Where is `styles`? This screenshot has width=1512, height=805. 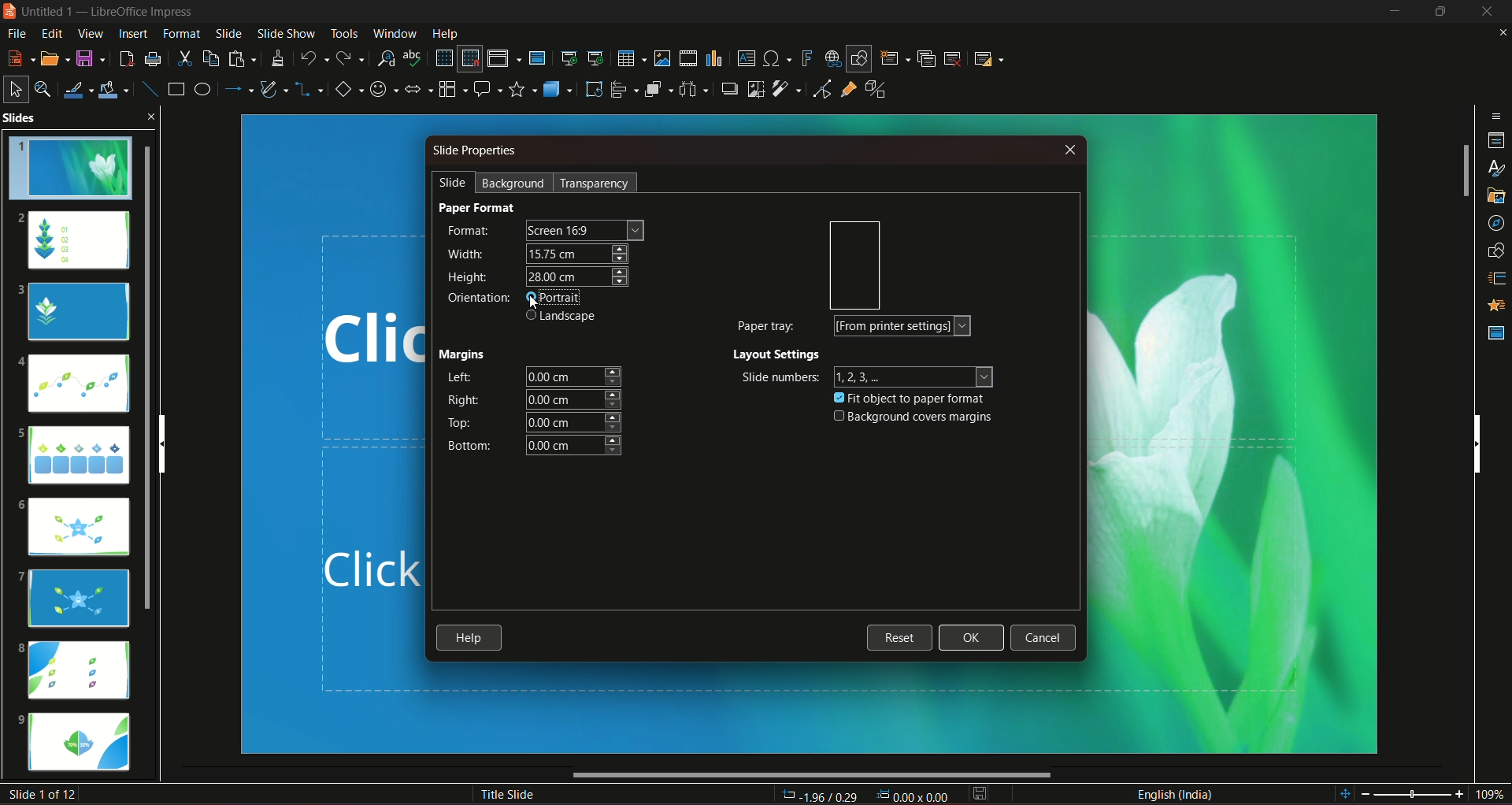
styles is located at coordinates (1493, 168).